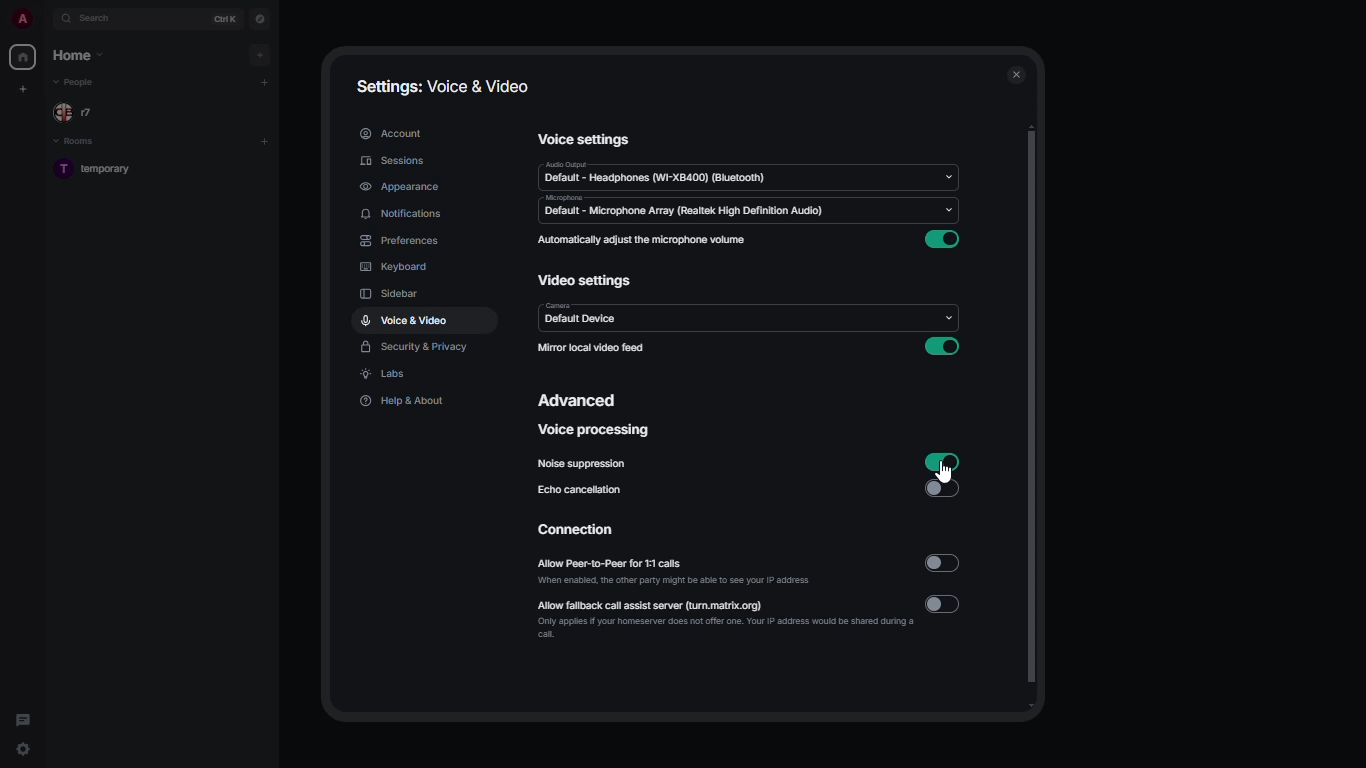  I want to click on connection, so click(585, 530).